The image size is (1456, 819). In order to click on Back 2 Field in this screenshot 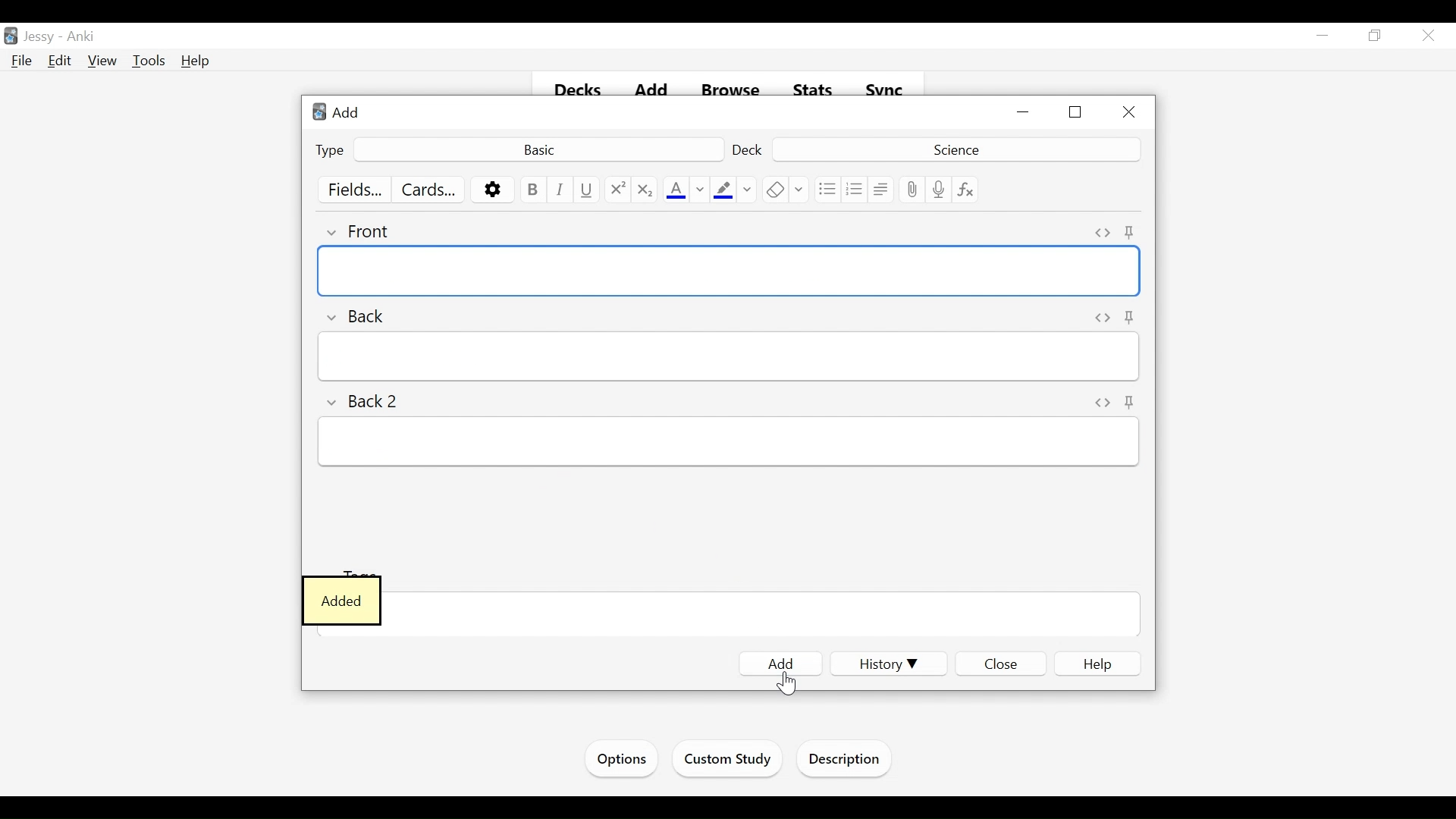, I will do `click(726, 444)`.